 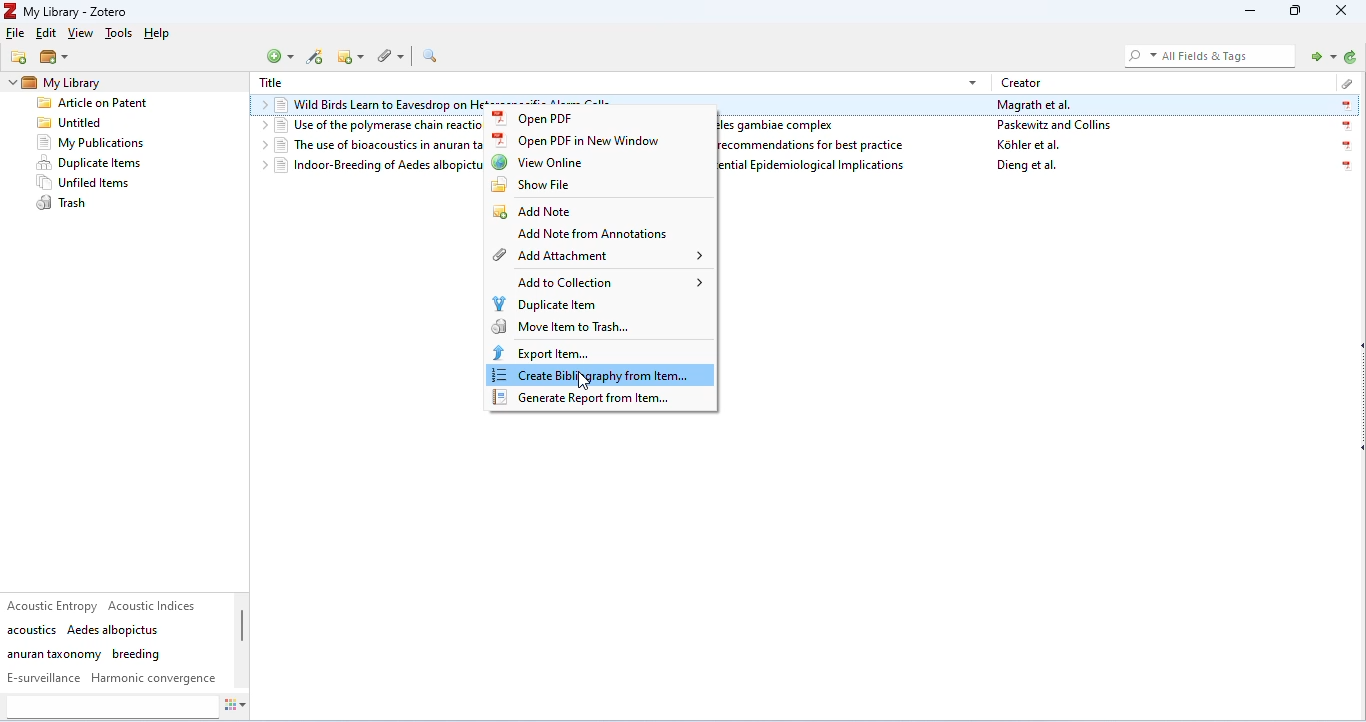 What do you see at coordinates (433, 56) in the screenshot?
I see `advanced search` at bounding box center [433, 56].